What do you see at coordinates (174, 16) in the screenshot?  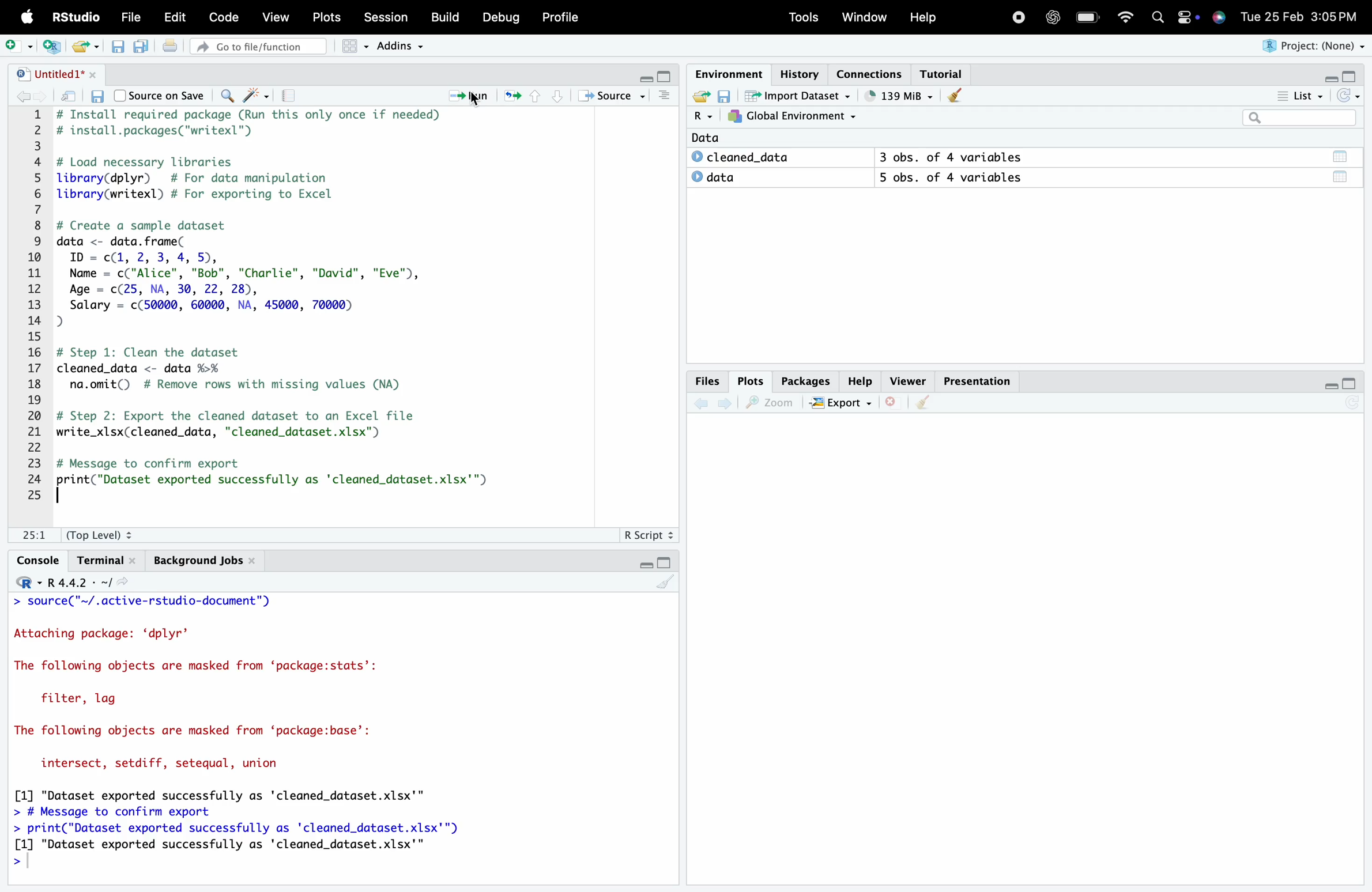 I see `Edit` at bounding box center [174, 16].